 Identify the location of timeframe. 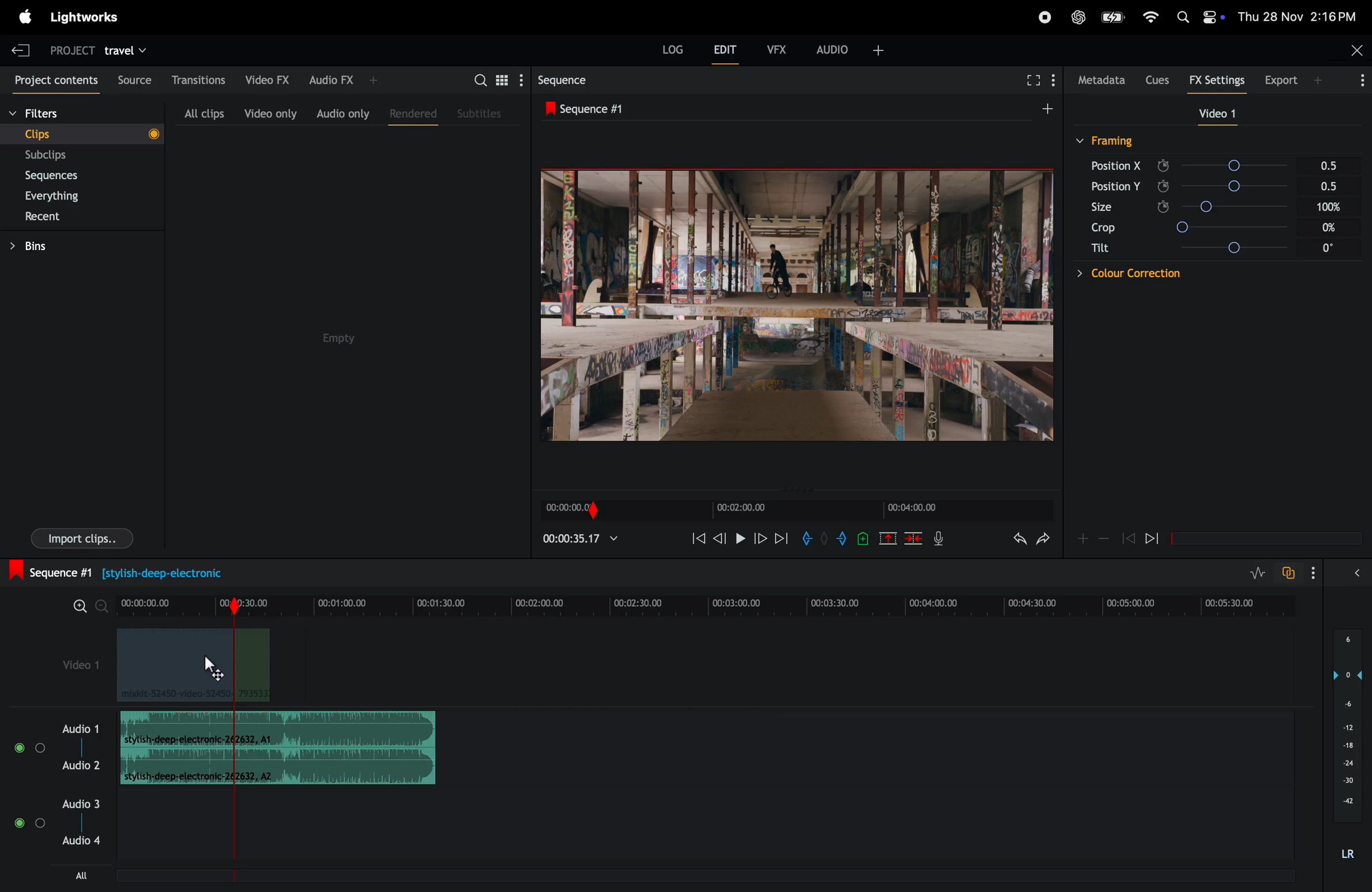
(793, 508).